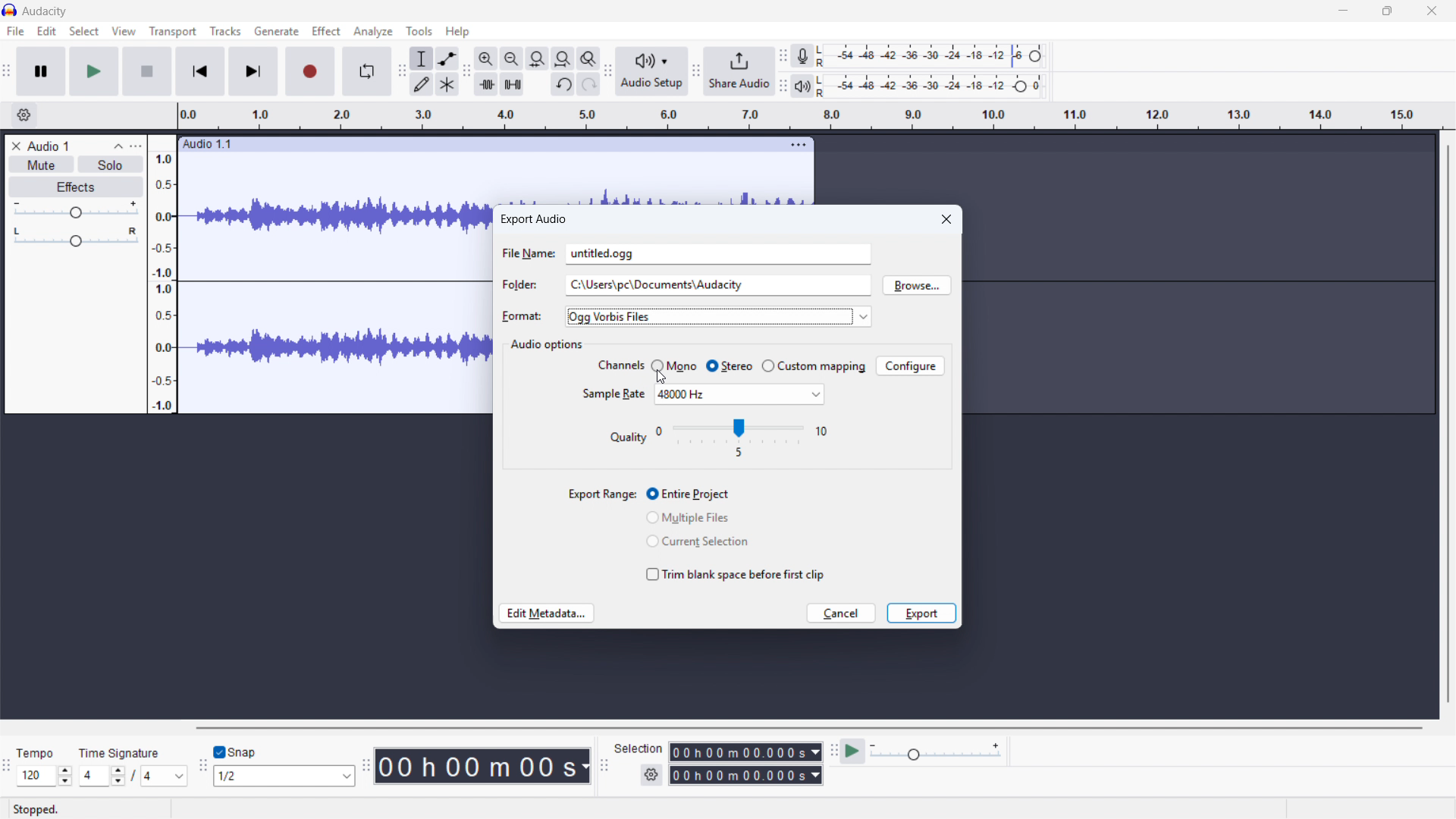 Image resolution: width=1456 pixels, height=819 pixels. What do you see at coordinates (911, 366) in the screenshot?
I see `Configure ` at bounding box center [911, 366].